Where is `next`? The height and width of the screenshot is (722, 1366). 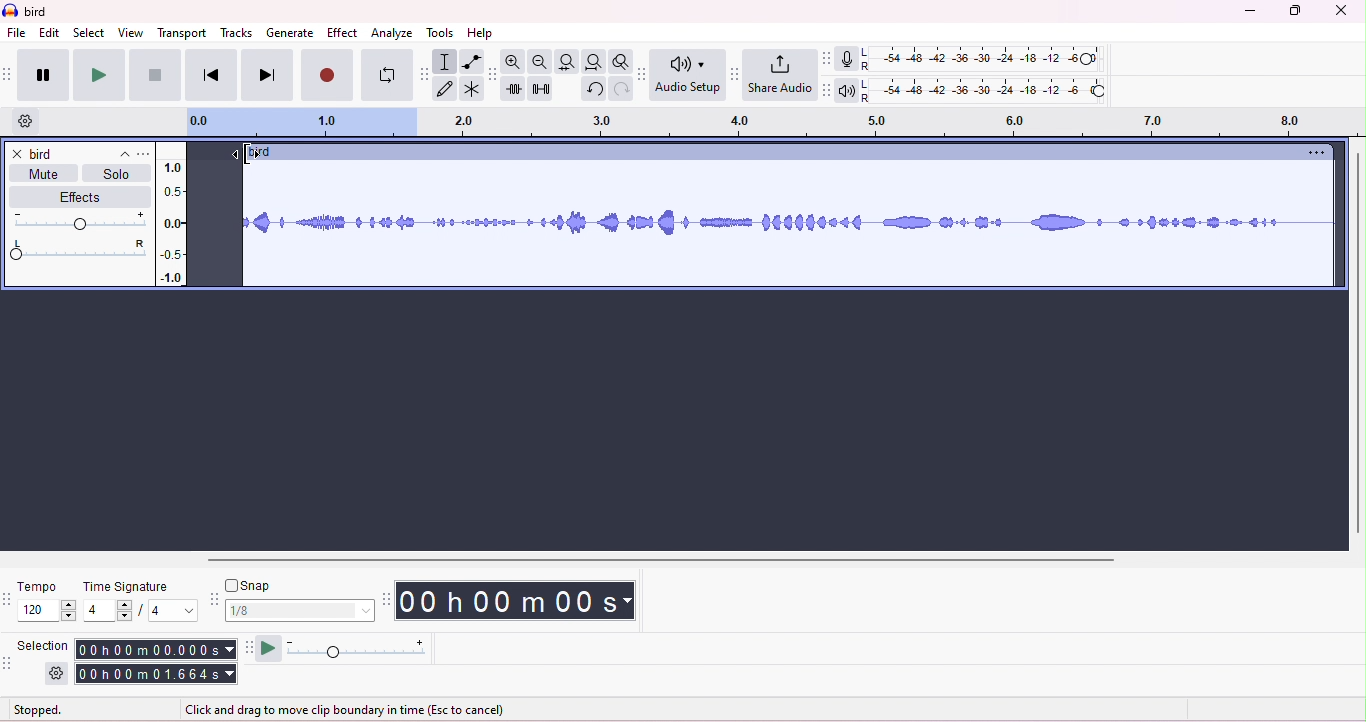
next is located at coordinates (265, 76).